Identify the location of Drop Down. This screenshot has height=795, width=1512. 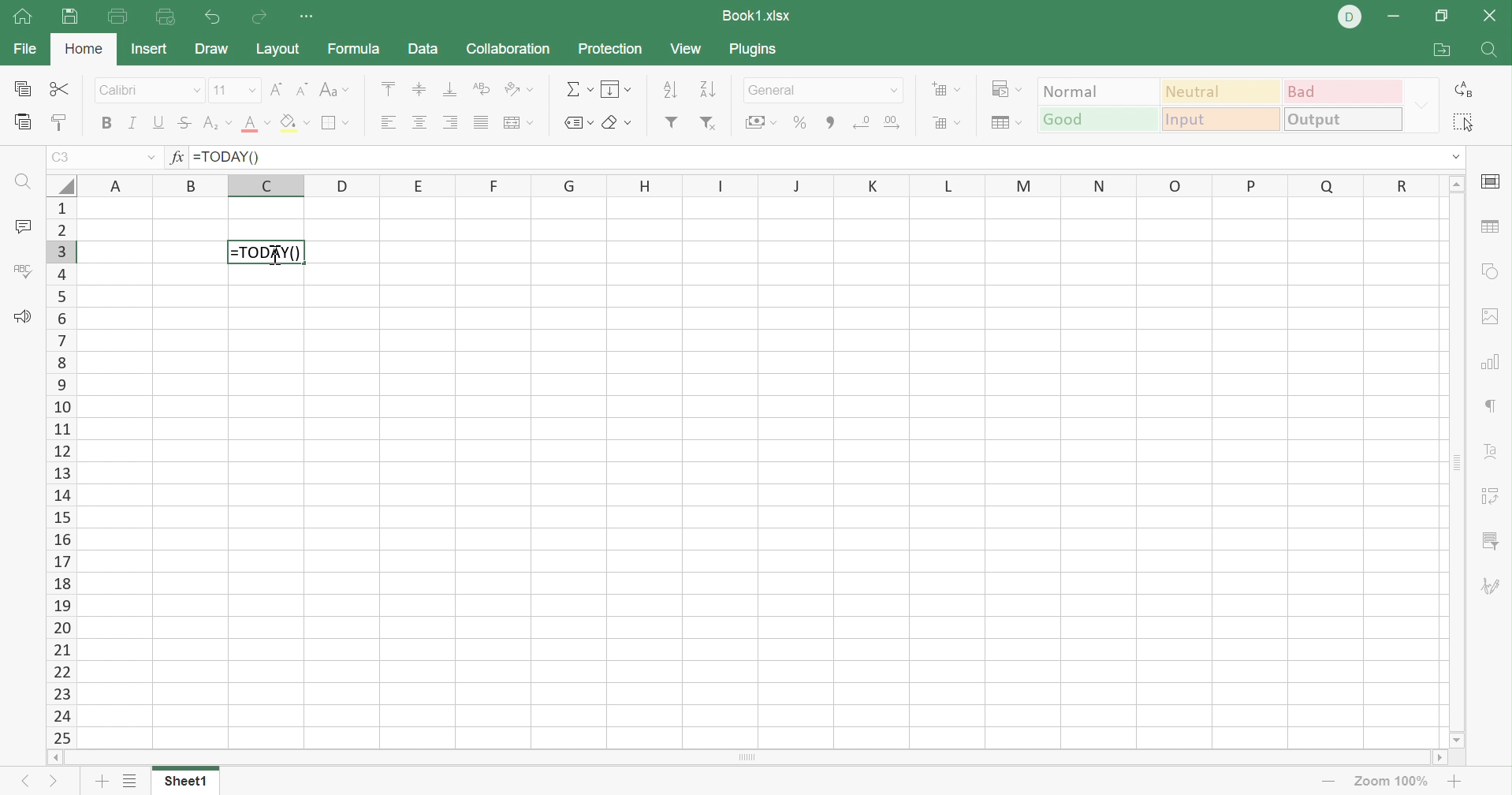
(197, 90).